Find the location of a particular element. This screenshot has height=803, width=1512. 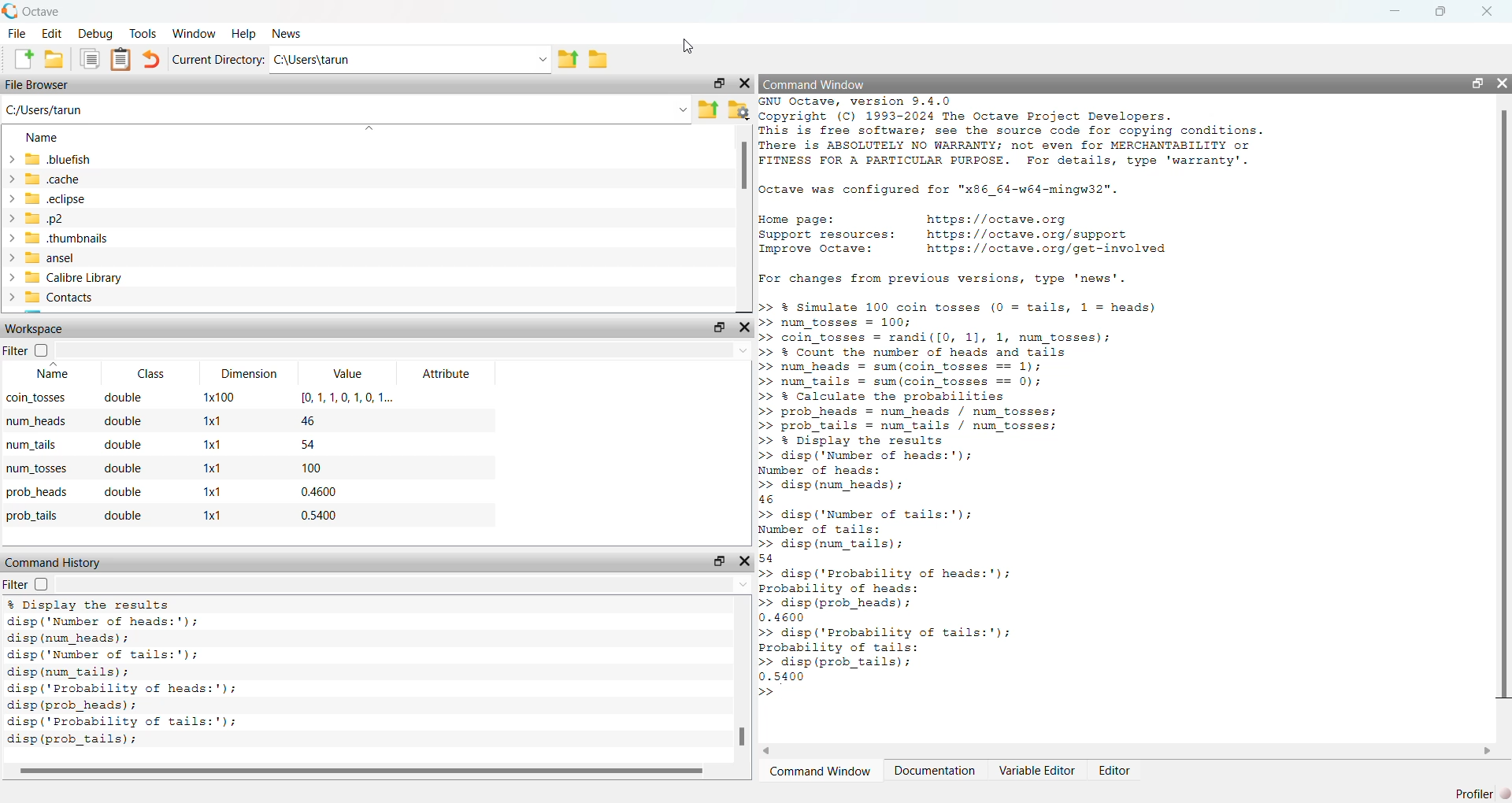

ansel is located at coordinates (40, 257).